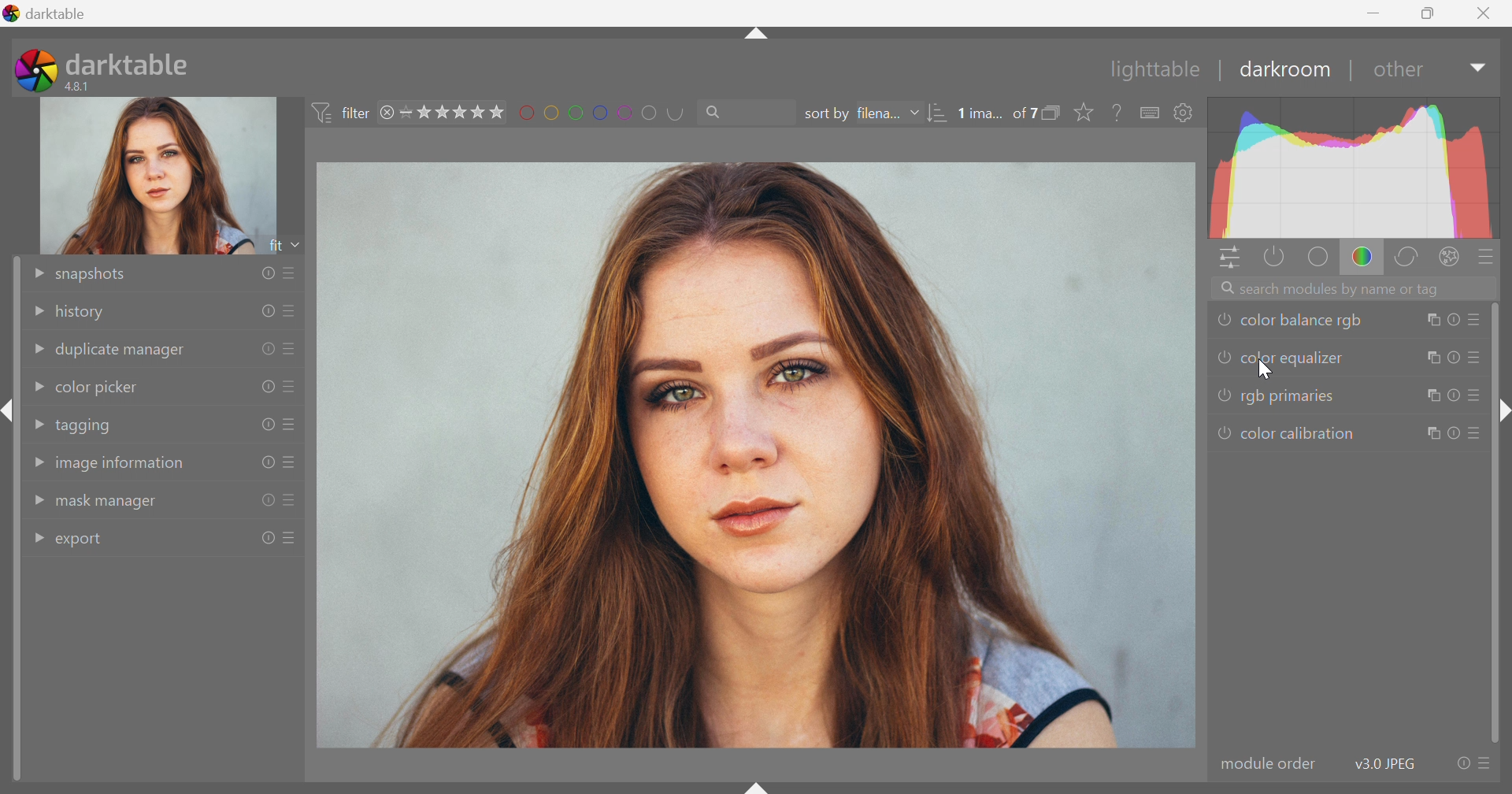 This screenshot has width=1512, height=794. I want to click on export, so click(86, 541).